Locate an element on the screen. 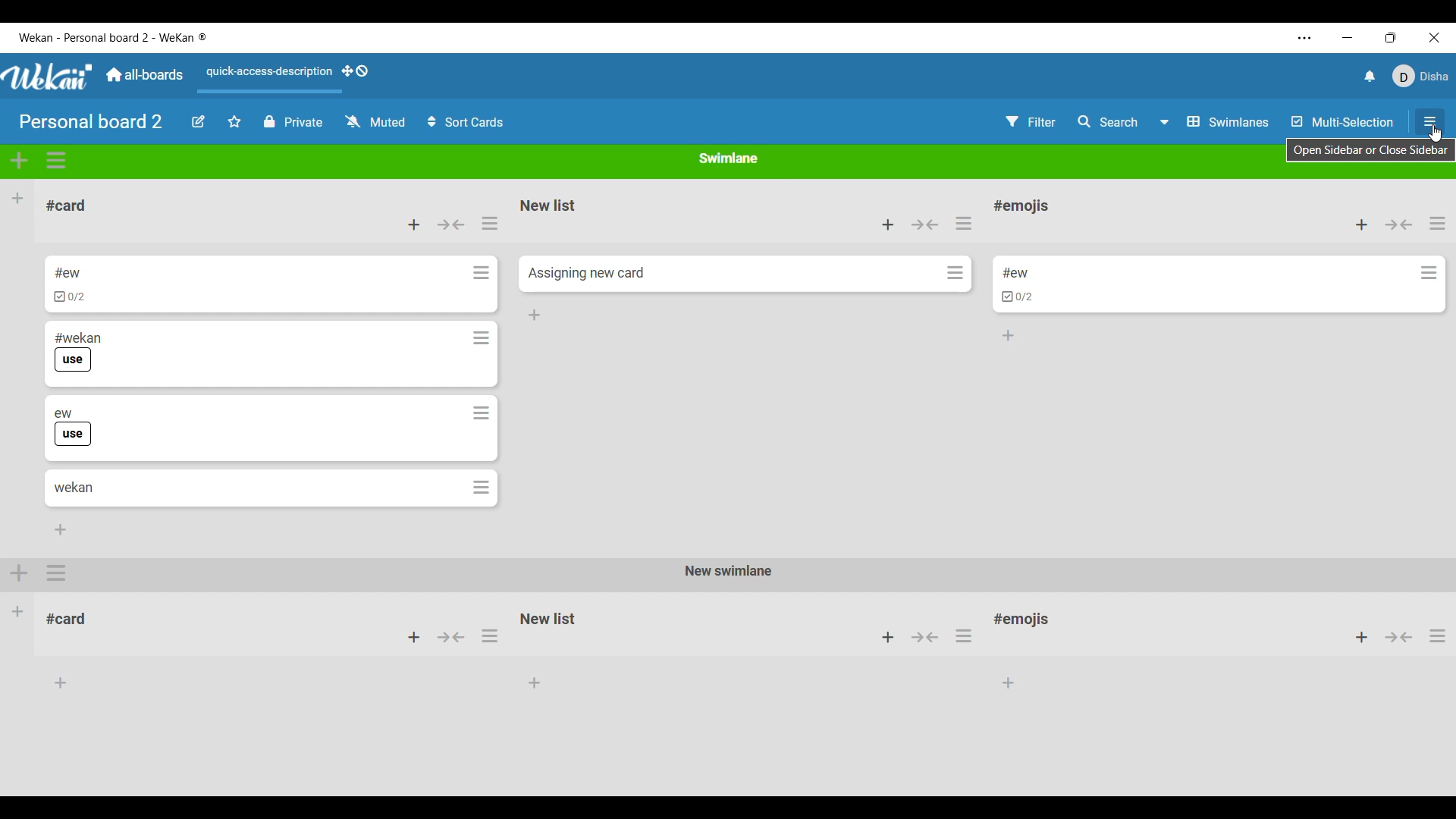 The image size is (1456, 819). Collapse is located at coordinates (1398, 224).